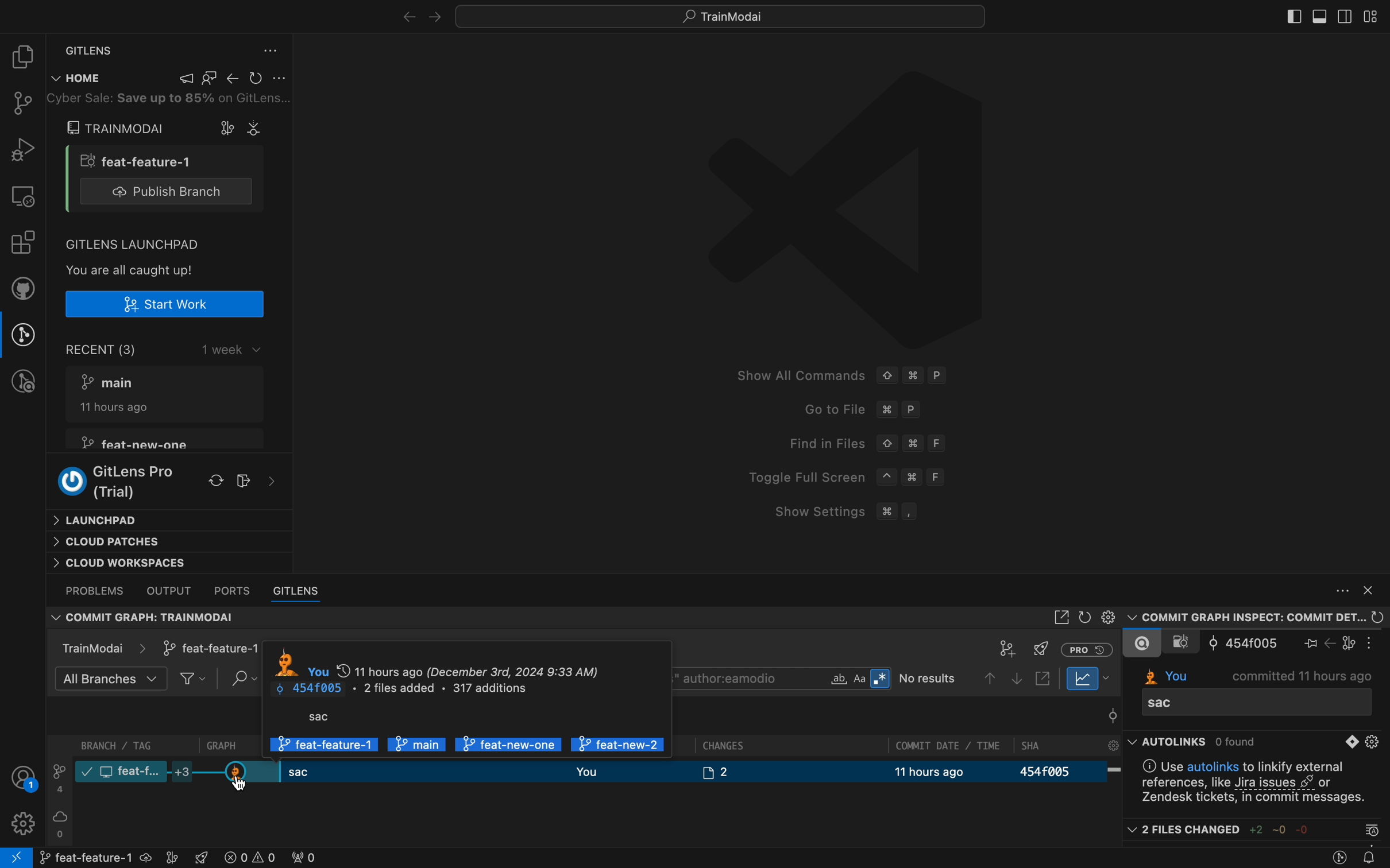 The image size is (1390, 868). Describe the element at coordinates (1110, 618) in the screenshot. I see `settings` at that location.